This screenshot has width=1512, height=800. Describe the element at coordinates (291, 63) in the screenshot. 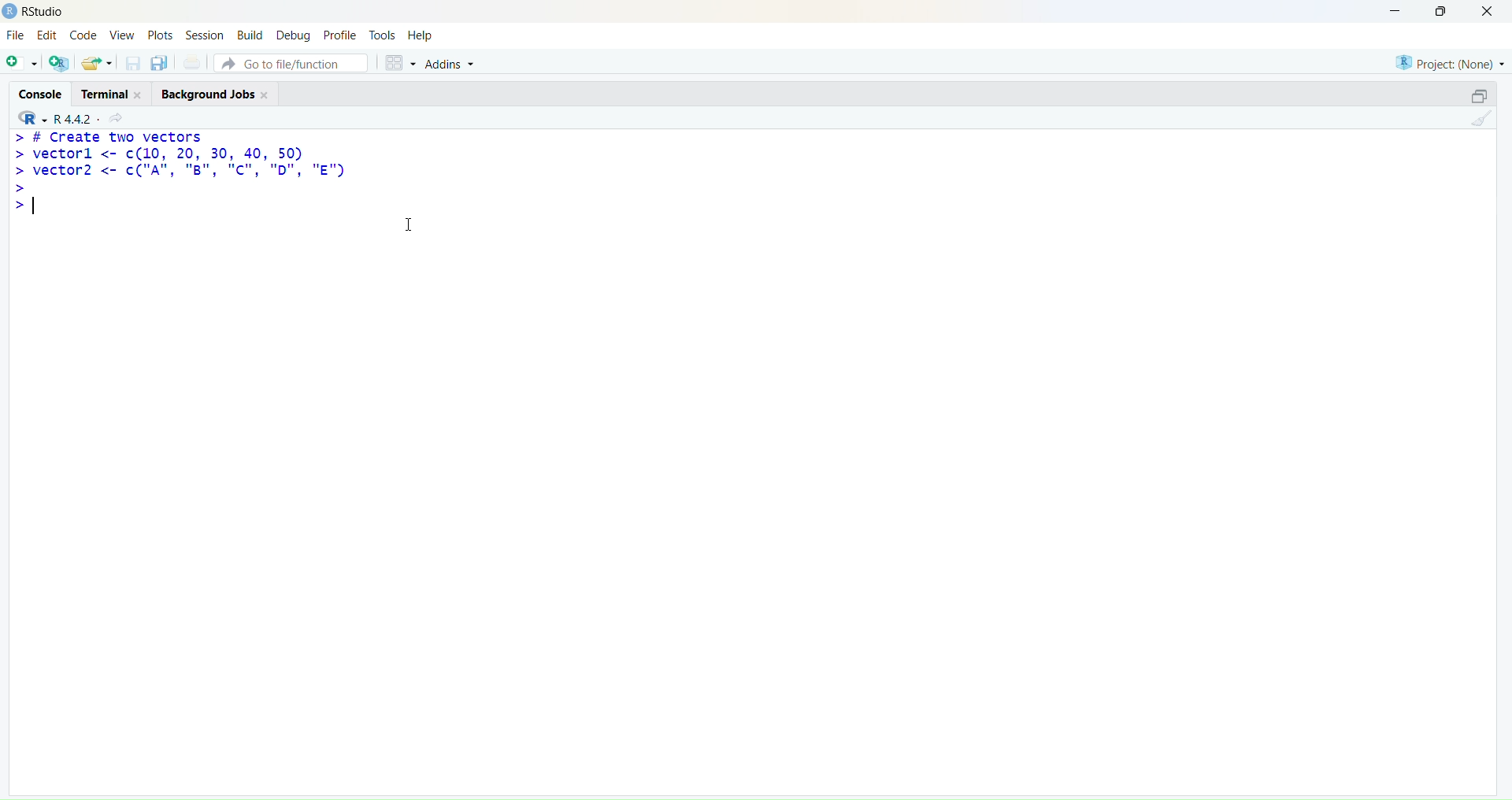

I see `Go to file/function` at that location.